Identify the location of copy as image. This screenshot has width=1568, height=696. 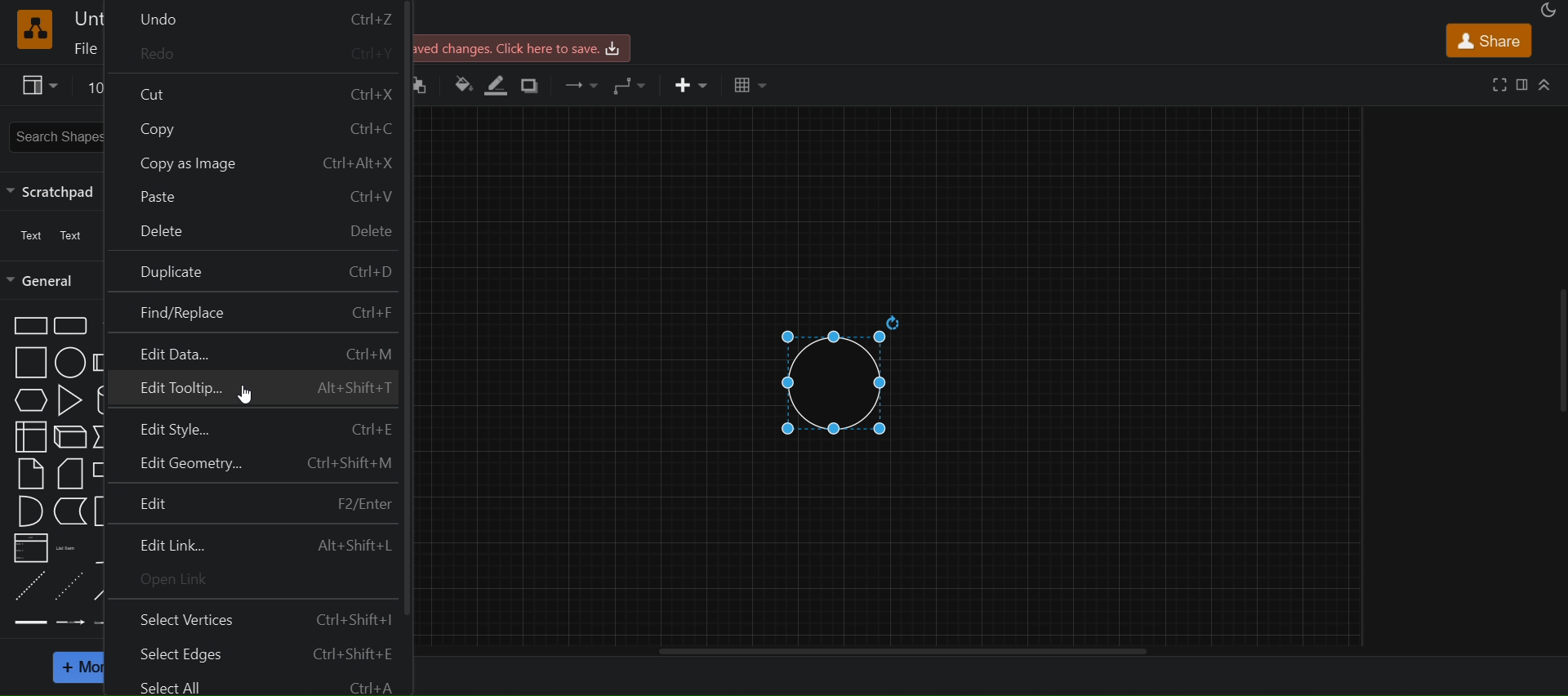
(257, 159).